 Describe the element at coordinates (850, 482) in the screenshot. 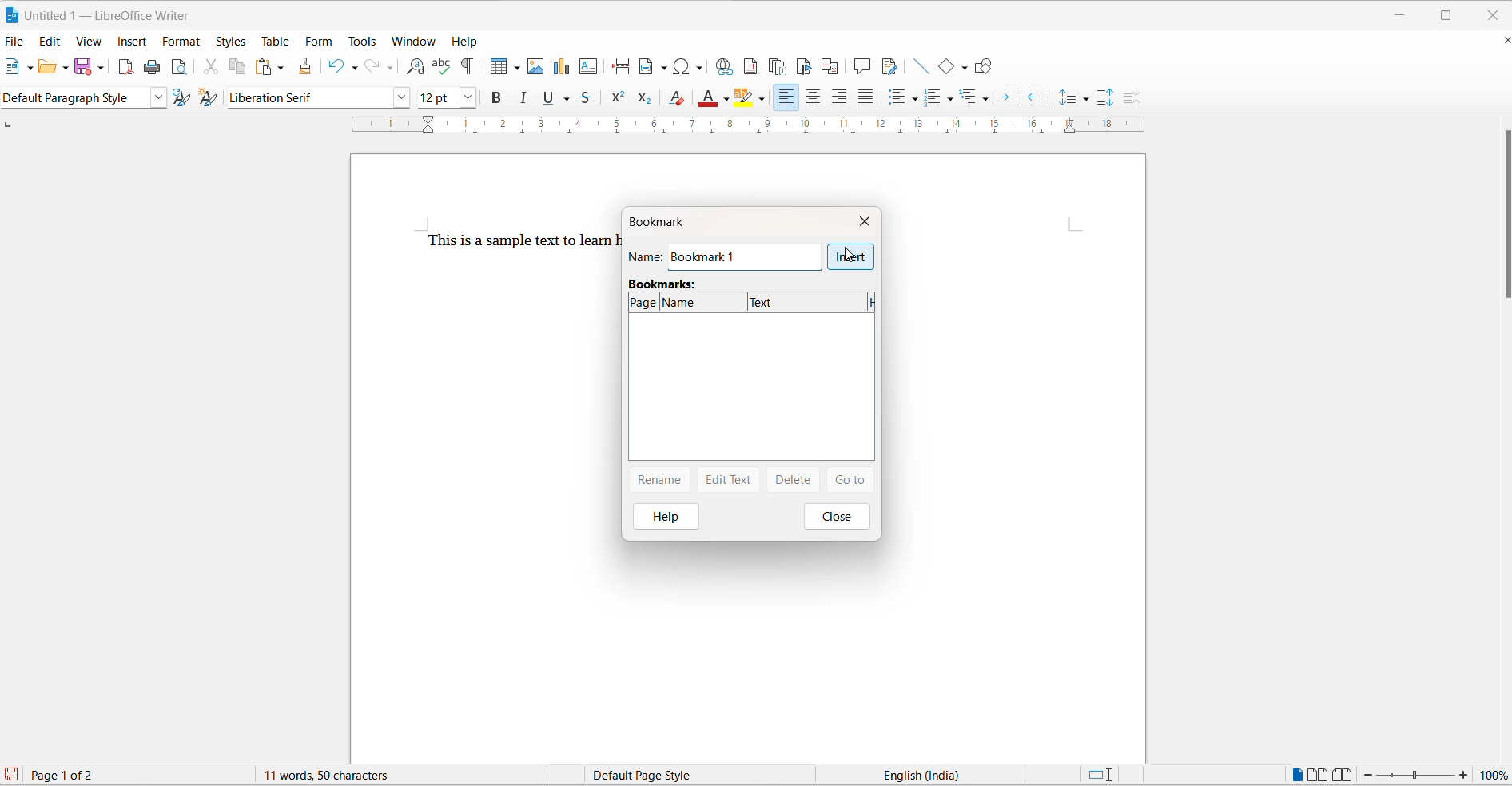

I see `go to` at that location.